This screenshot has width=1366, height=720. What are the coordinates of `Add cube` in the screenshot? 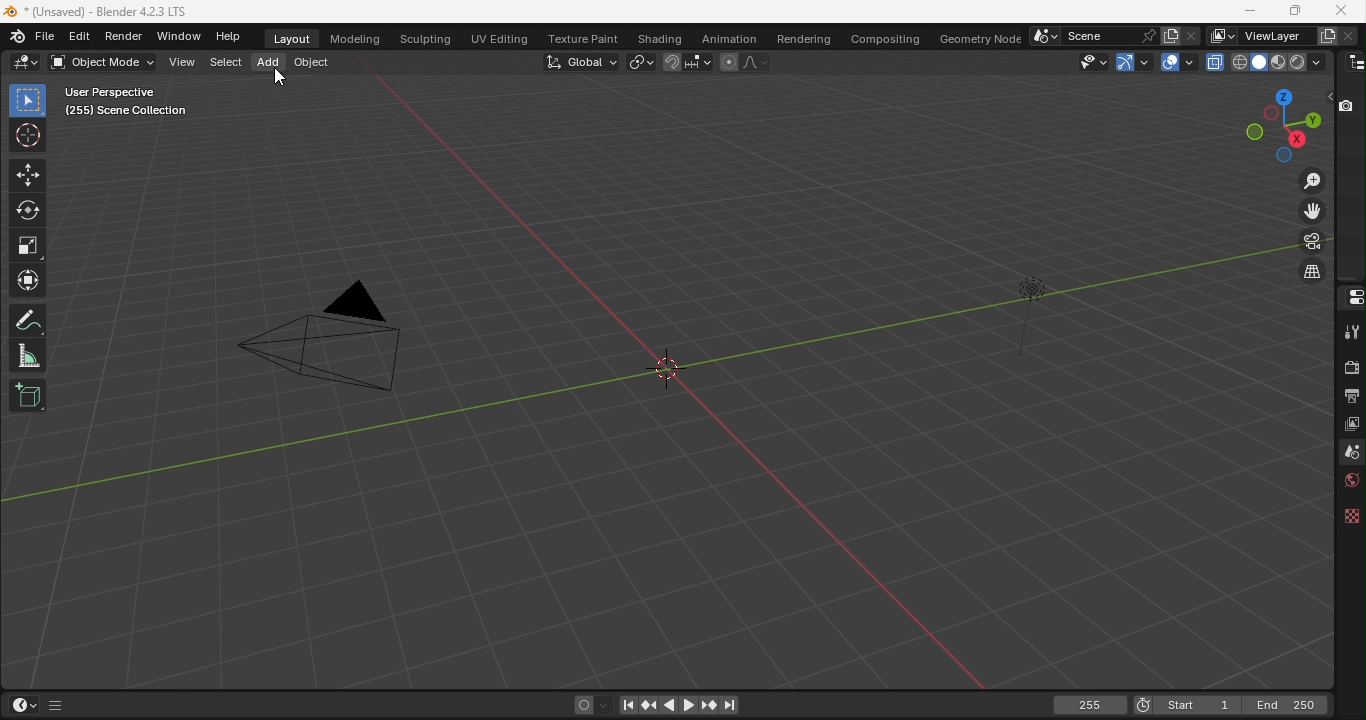 It's located at (27, 397).